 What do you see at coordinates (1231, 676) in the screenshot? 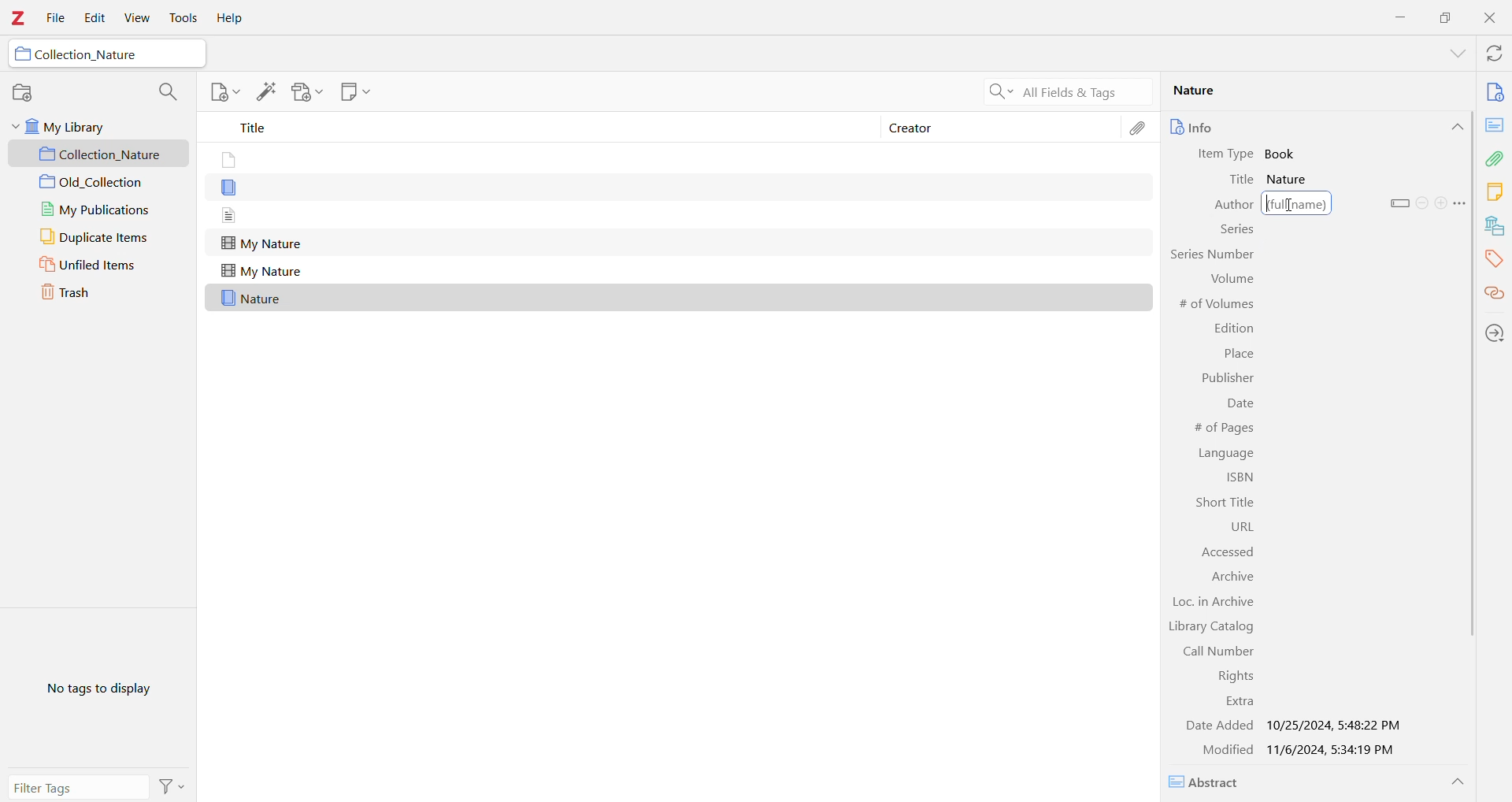
I see `Rights` at bounding box center [1231, 676].